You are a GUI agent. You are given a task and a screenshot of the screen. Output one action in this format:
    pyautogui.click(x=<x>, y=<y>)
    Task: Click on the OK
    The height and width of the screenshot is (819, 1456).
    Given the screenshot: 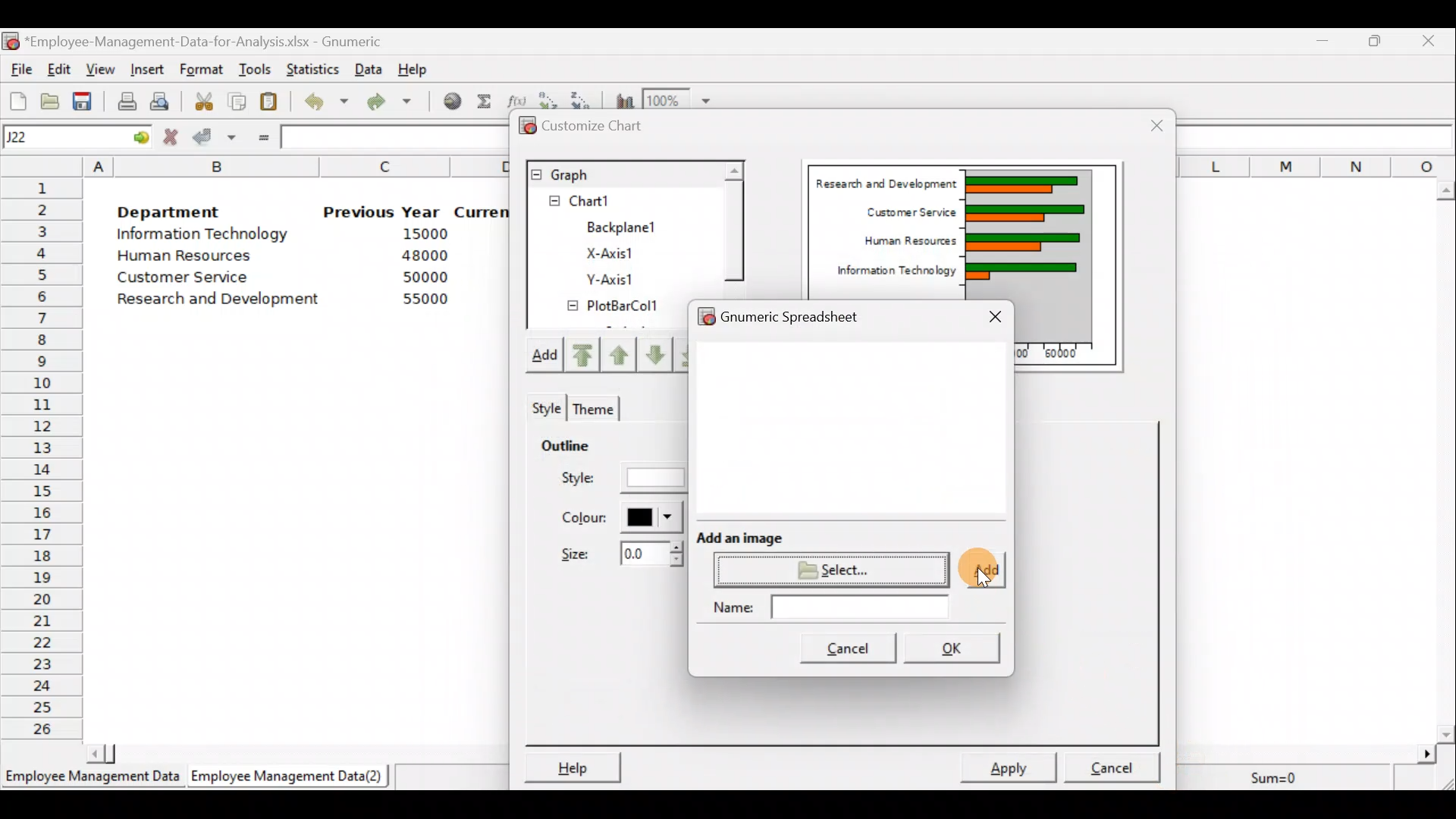 What is the action you would take?
    pyautogui.click(x=952, y=644)
    